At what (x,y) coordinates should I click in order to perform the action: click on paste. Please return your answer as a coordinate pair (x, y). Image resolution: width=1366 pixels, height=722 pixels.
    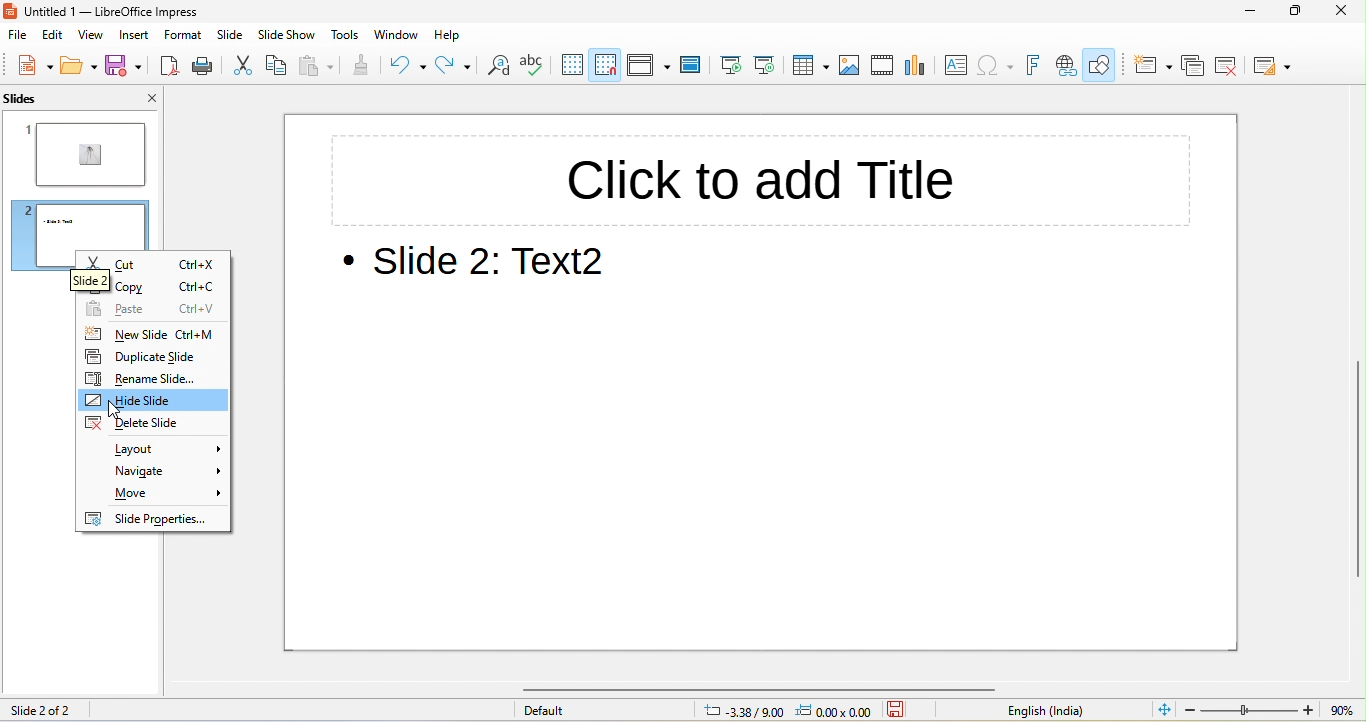
    Looking at the image, I should click on (122, 310).